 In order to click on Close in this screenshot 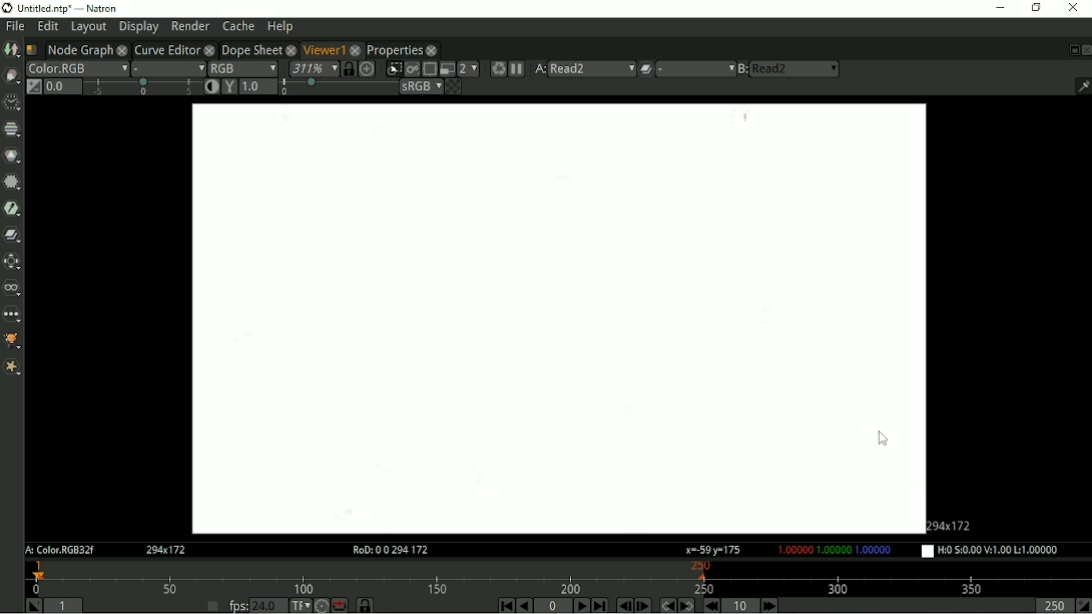, I will do `click(1073, 9)`.